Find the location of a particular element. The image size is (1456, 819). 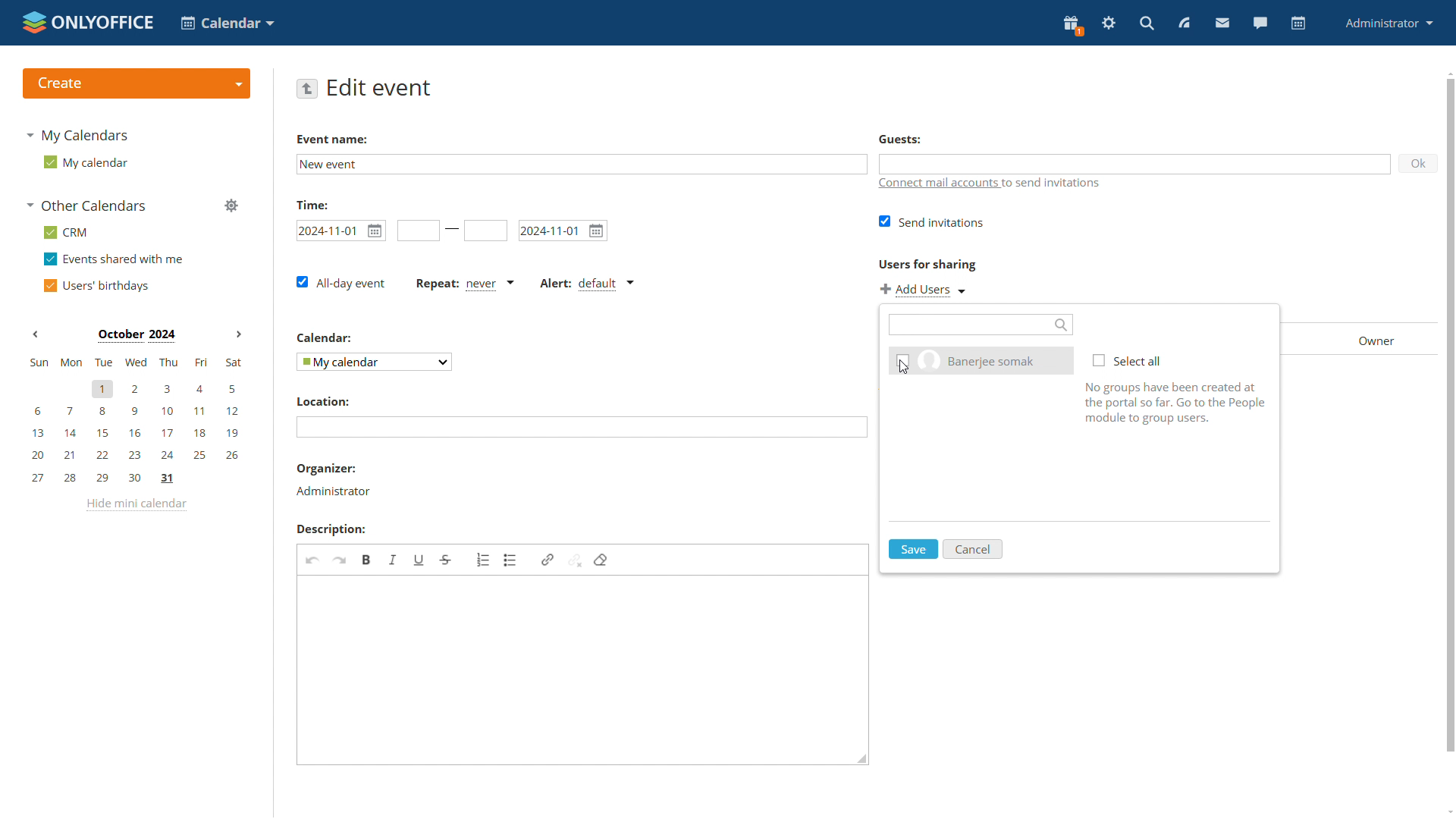

edit event is located at coordinates (381, 88).